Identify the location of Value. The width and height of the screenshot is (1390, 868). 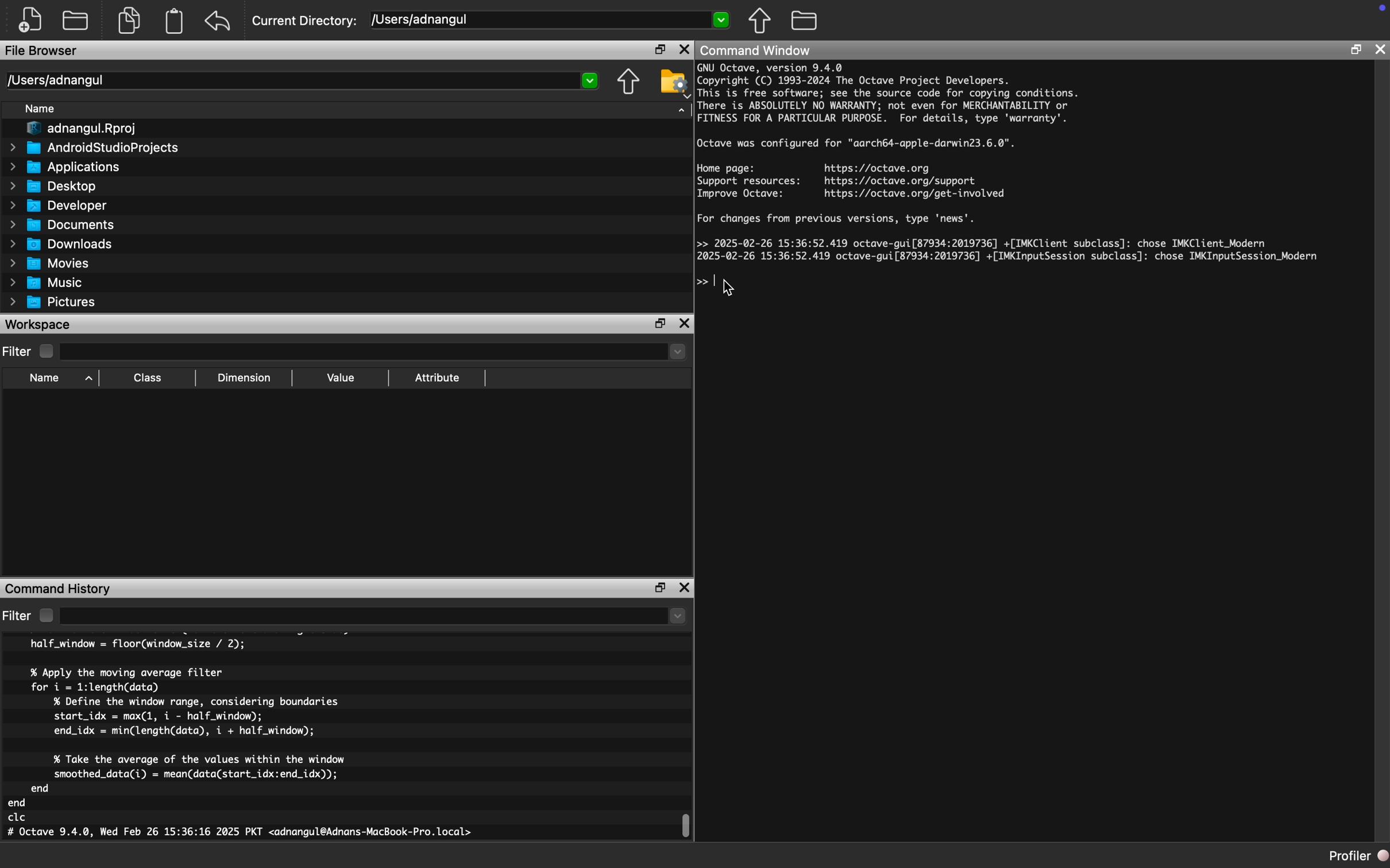
(339, 378).